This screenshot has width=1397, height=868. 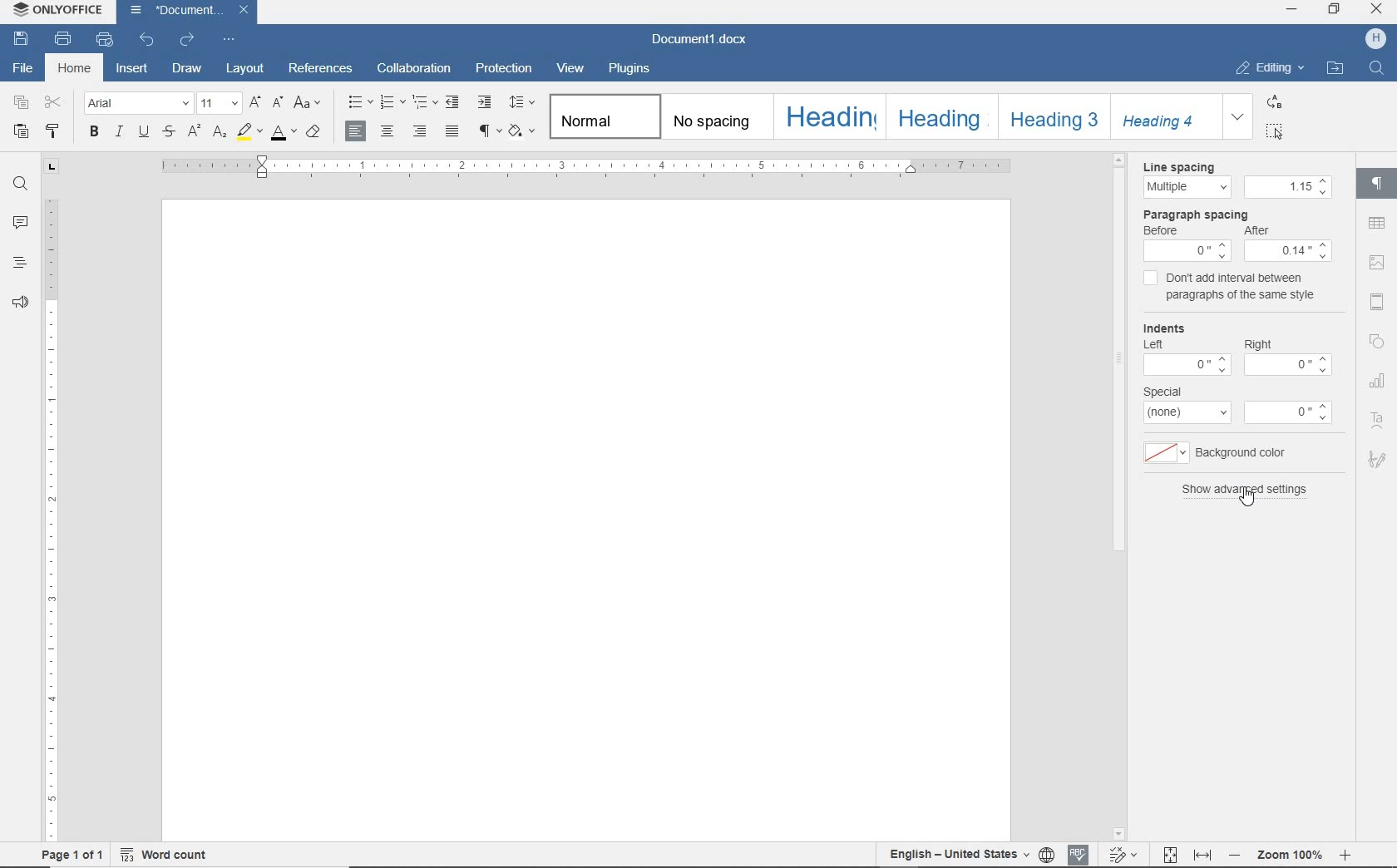 I want to click on multilevel list, so click(x=423, y=103).